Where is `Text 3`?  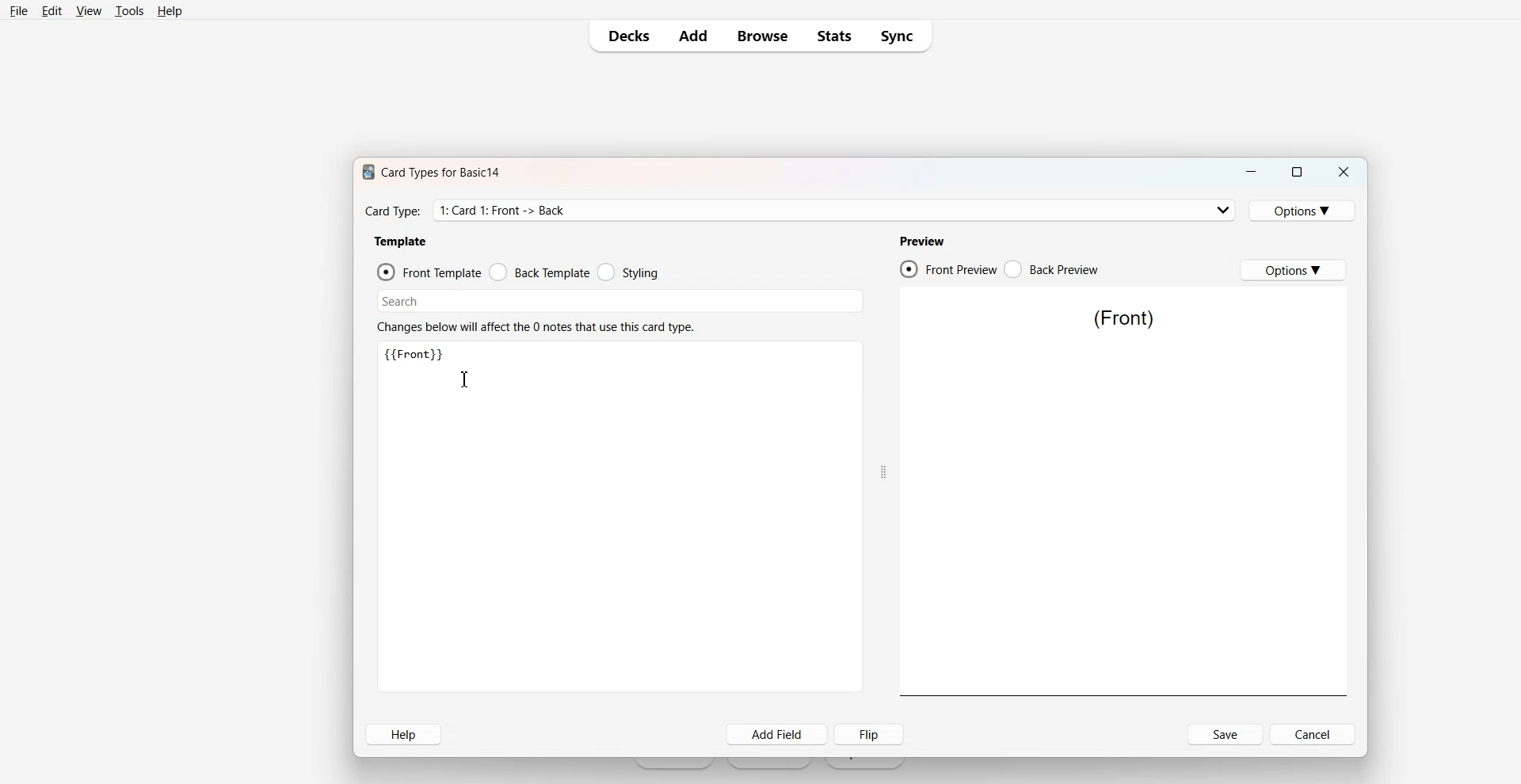 Text 3 is located at coordinates (415, 353).